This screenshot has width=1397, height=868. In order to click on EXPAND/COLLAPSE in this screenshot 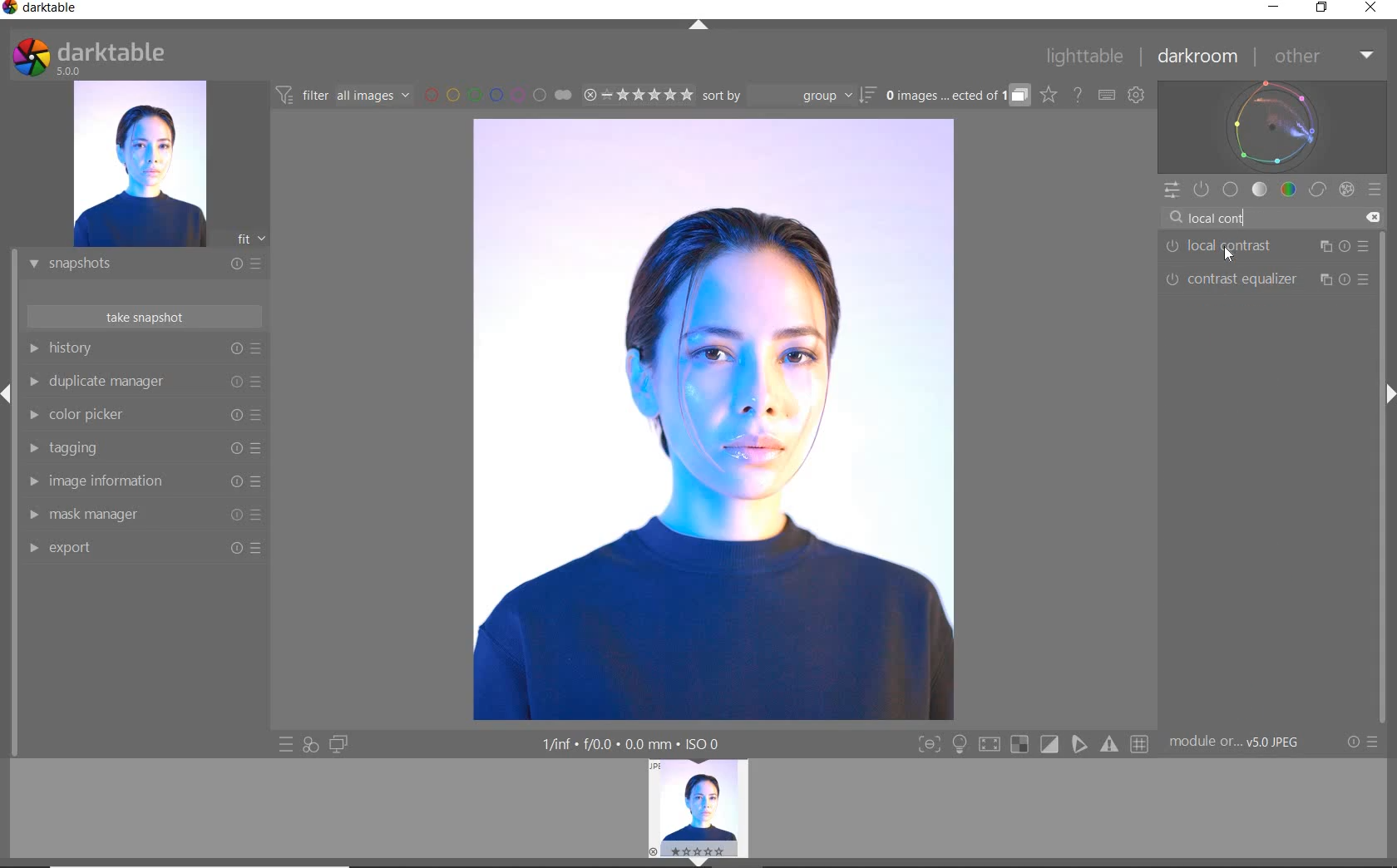, I will do `click(701, 27)`.